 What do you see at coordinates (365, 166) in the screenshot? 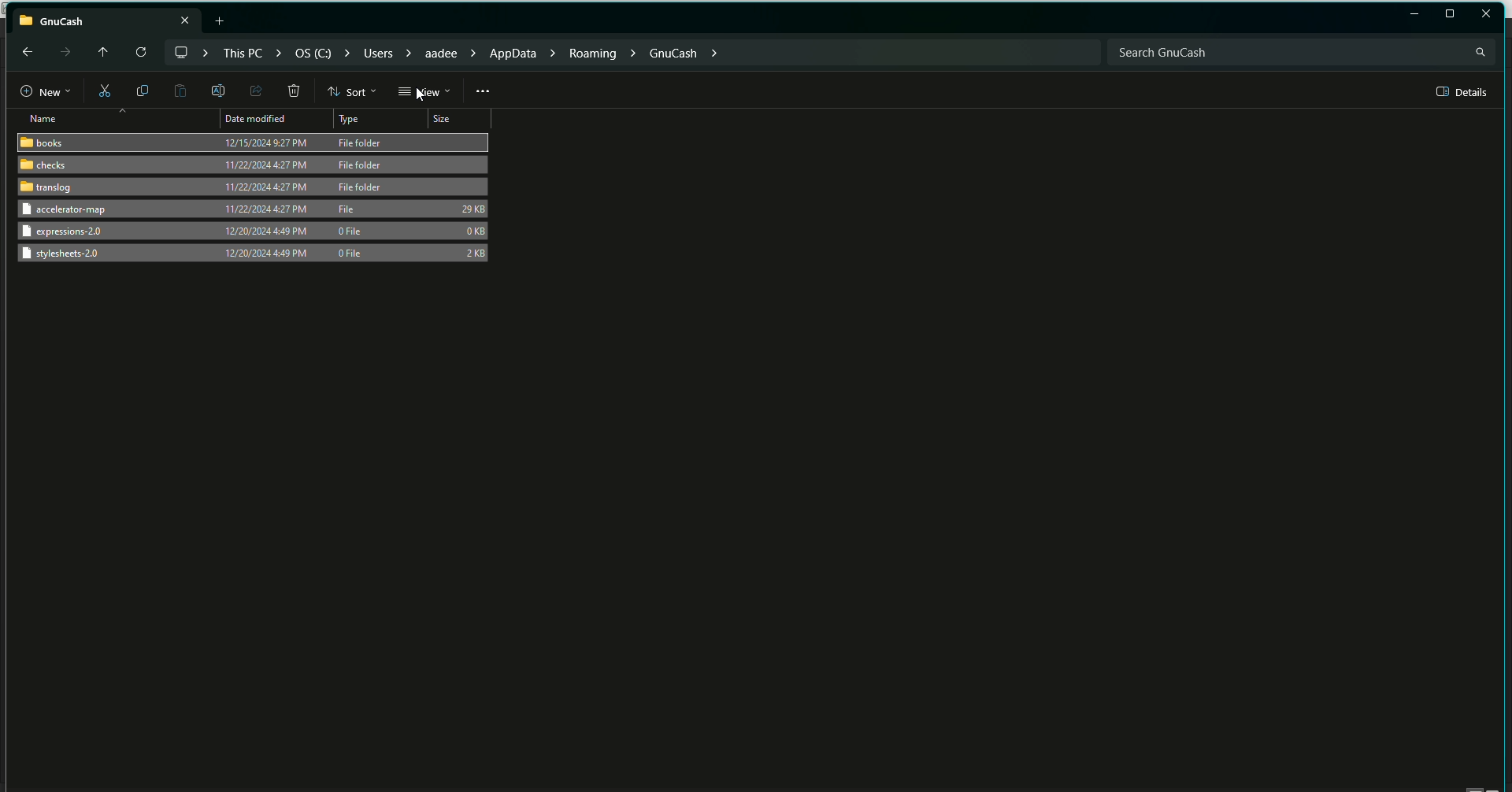
I see `File folder` at bounding box center [365, 166].